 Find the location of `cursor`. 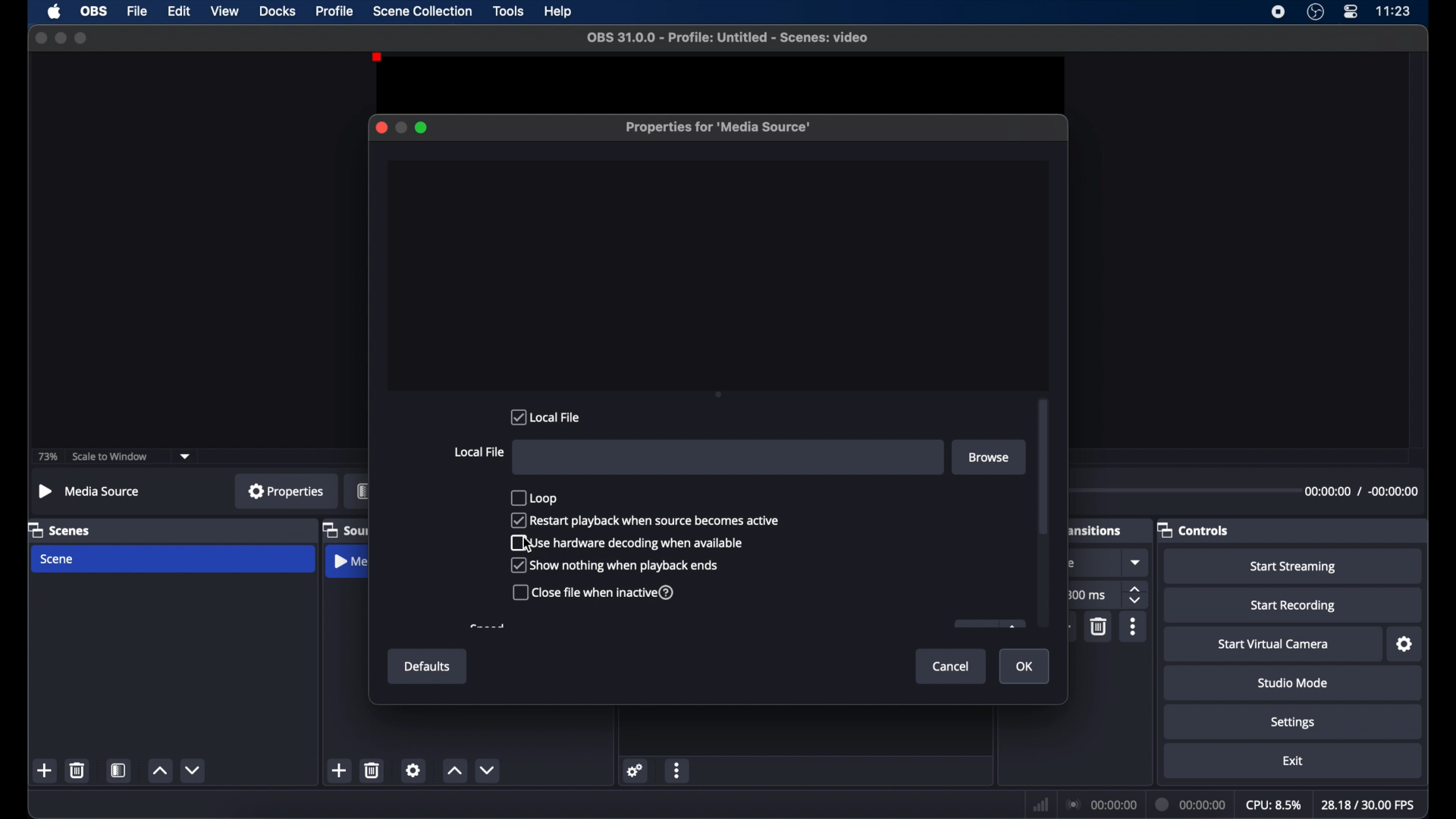

cursor is located at coordinates (529, 544).